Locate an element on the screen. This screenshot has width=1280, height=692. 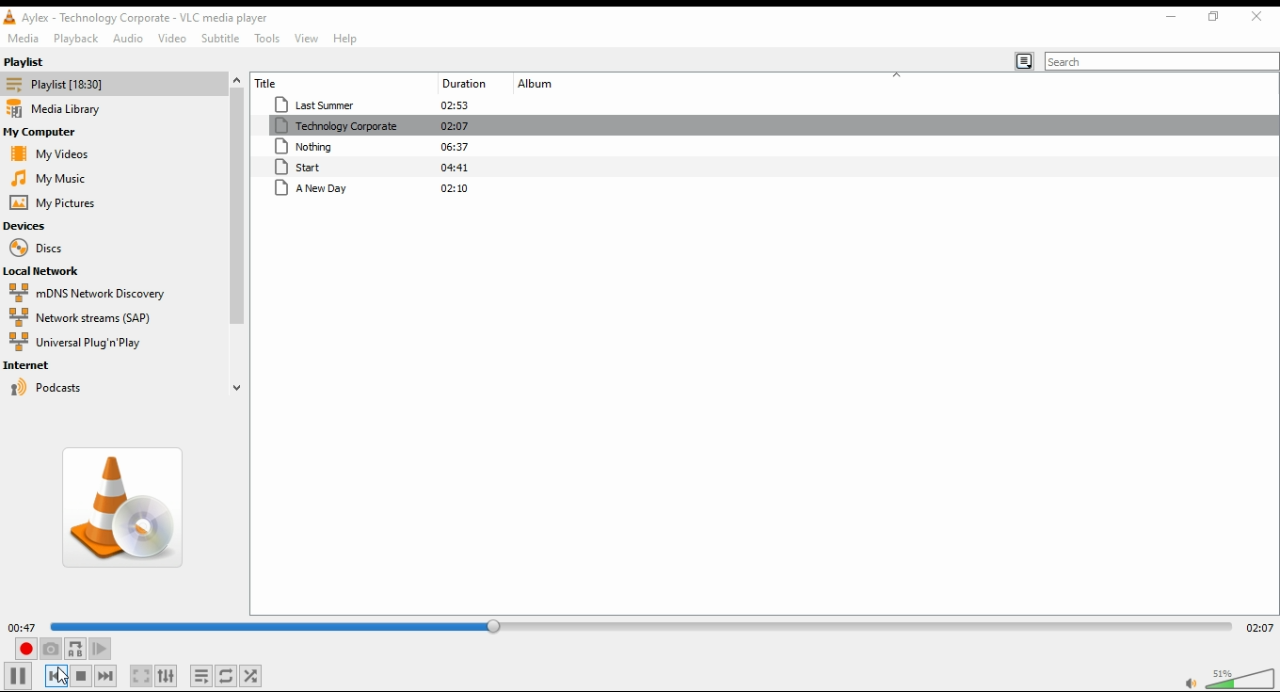
previous media in the playlist, skip backward when held. is located at coordinates (56, 675).